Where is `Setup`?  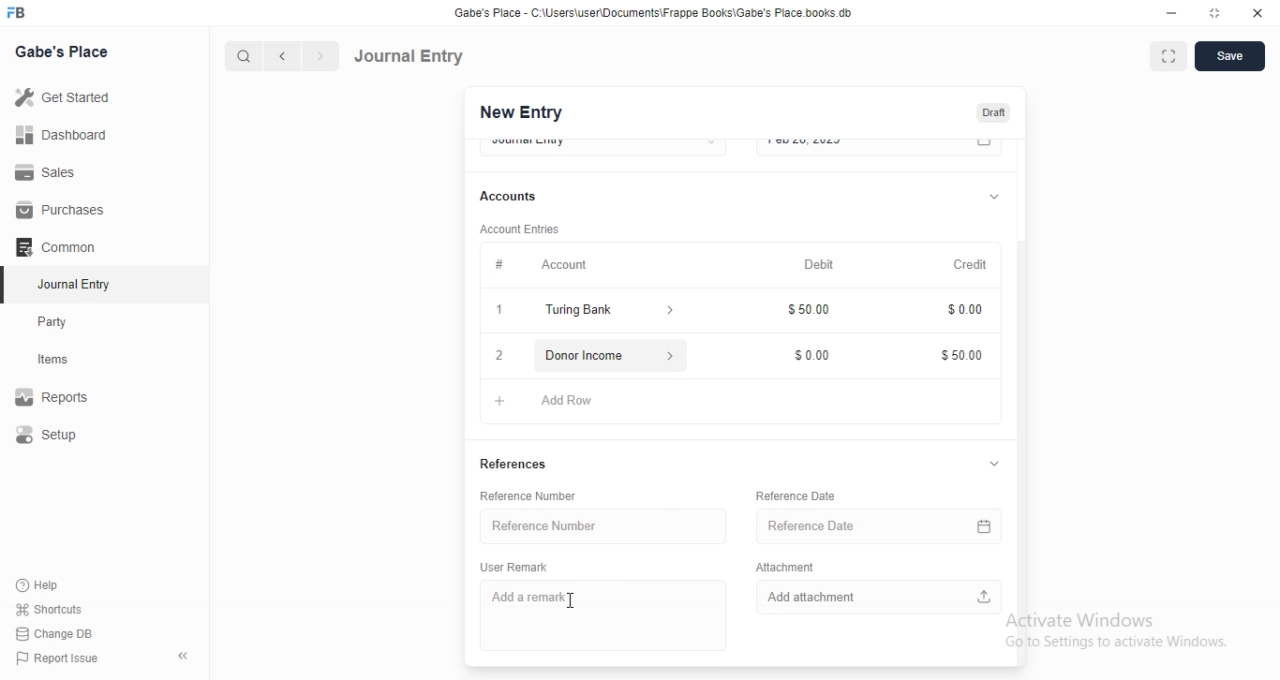
Setup is located at coordinates (66, 436).